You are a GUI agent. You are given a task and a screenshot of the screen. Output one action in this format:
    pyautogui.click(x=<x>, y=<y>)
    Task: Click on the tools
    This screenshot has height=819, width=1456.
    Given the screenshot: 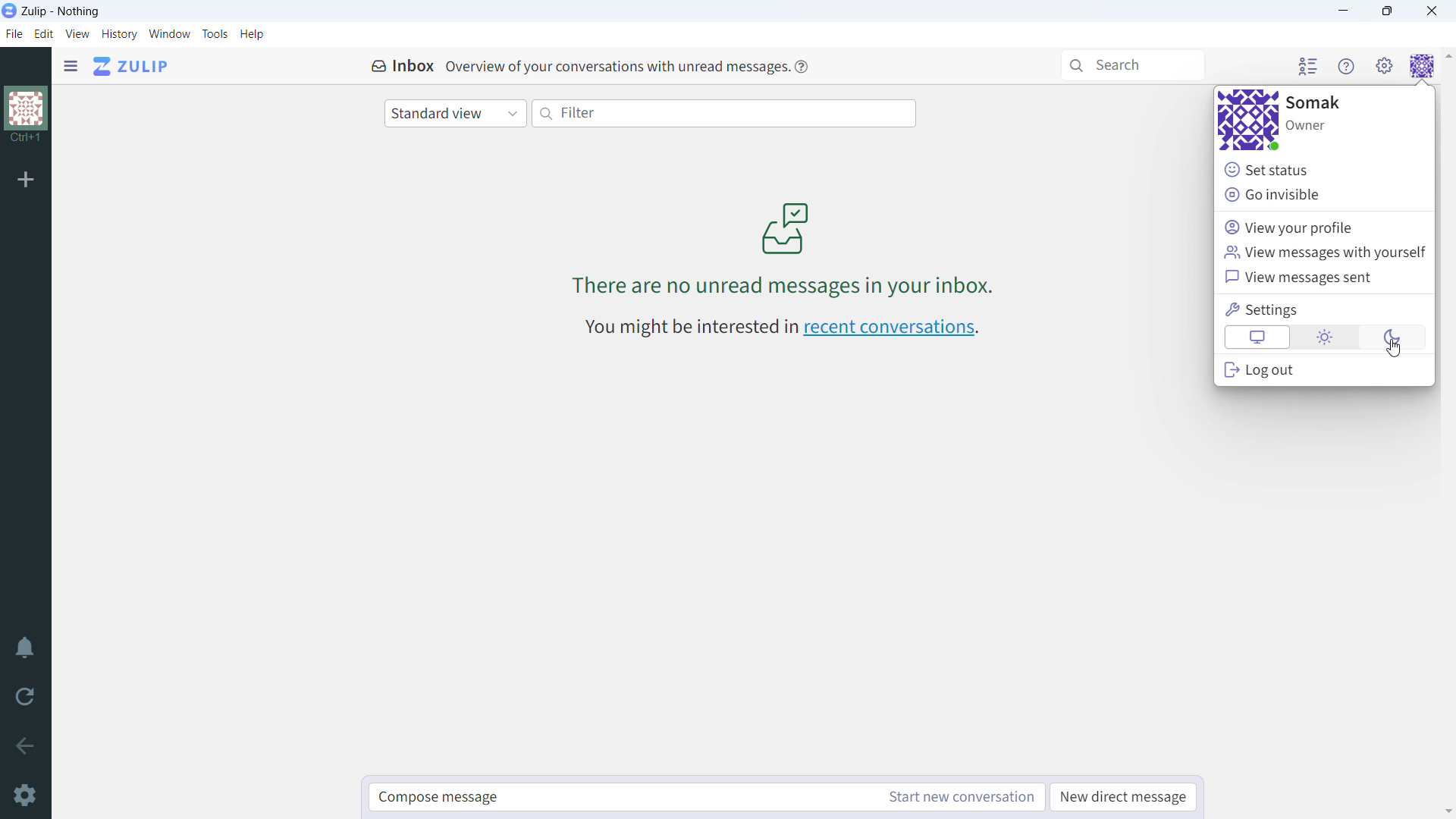 What is the action you would take?
    pyautogui.click(x=215, y=35)
    